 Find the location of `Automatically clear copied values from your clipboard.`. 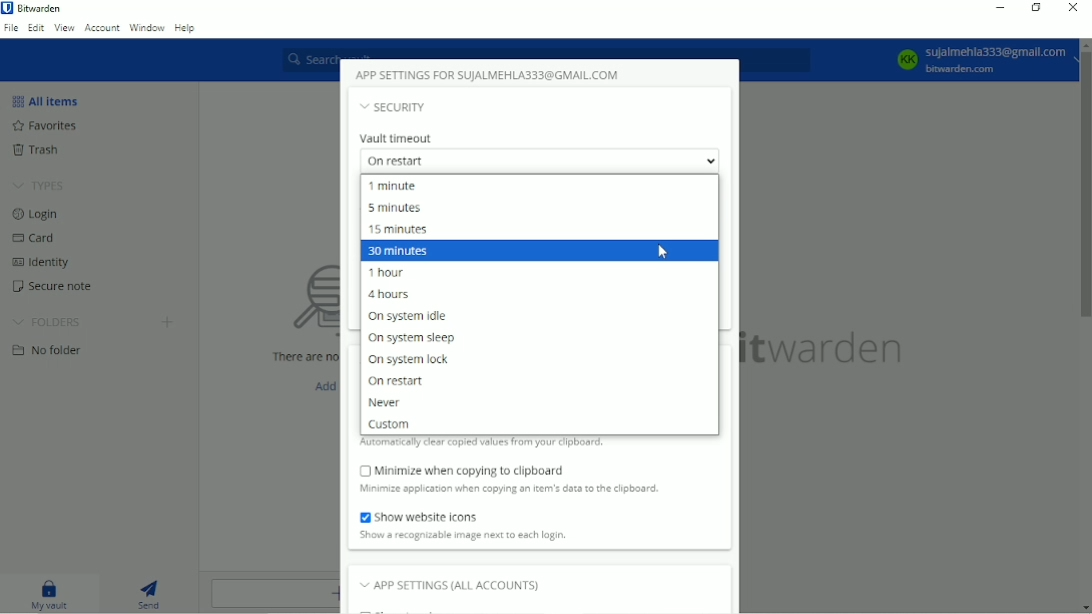

Automatically clear copied values from your clipboard. is located at coordinates (484, 444).